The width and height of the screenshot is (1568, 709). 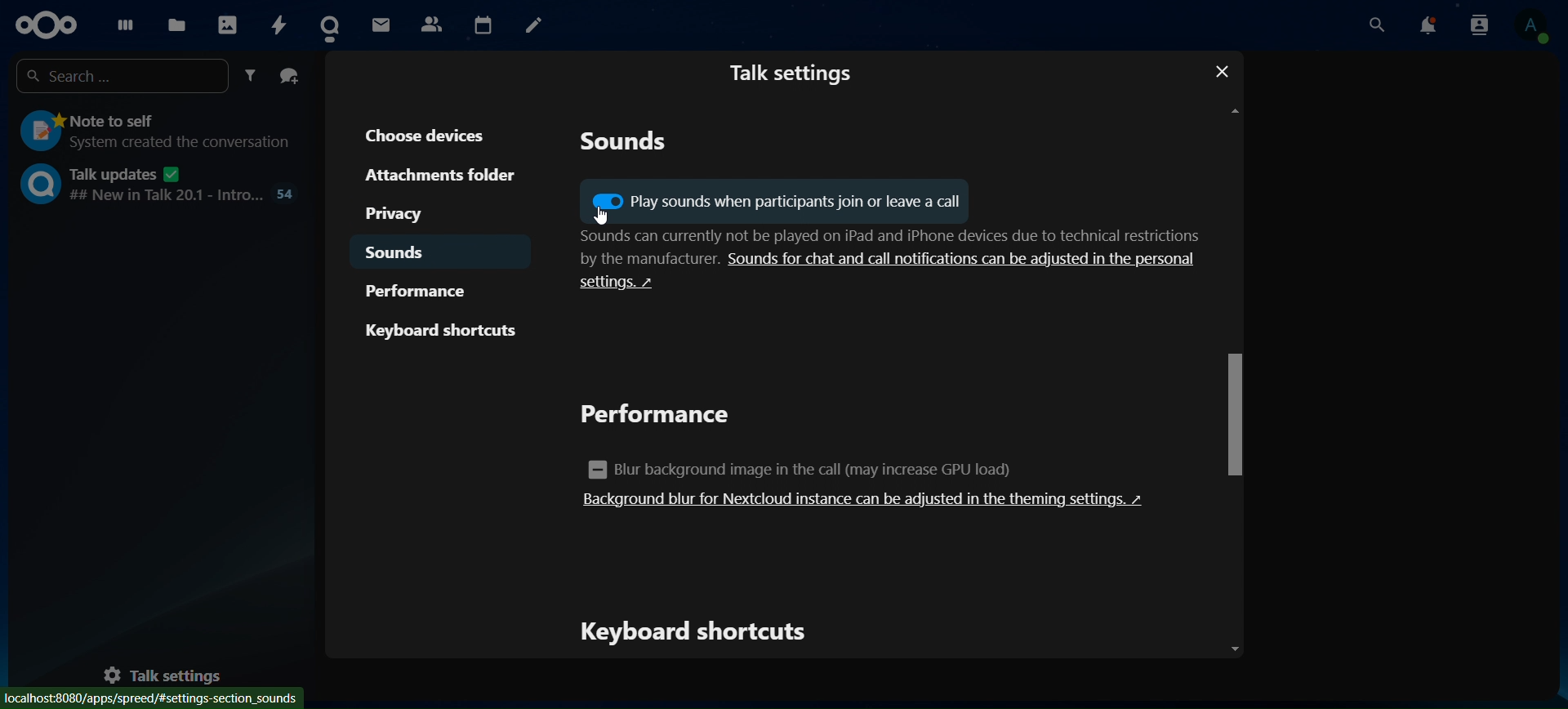 What do you see at coordinates (177, 22) in the screenshot?
I see `files` at bounding box center [177, 22].